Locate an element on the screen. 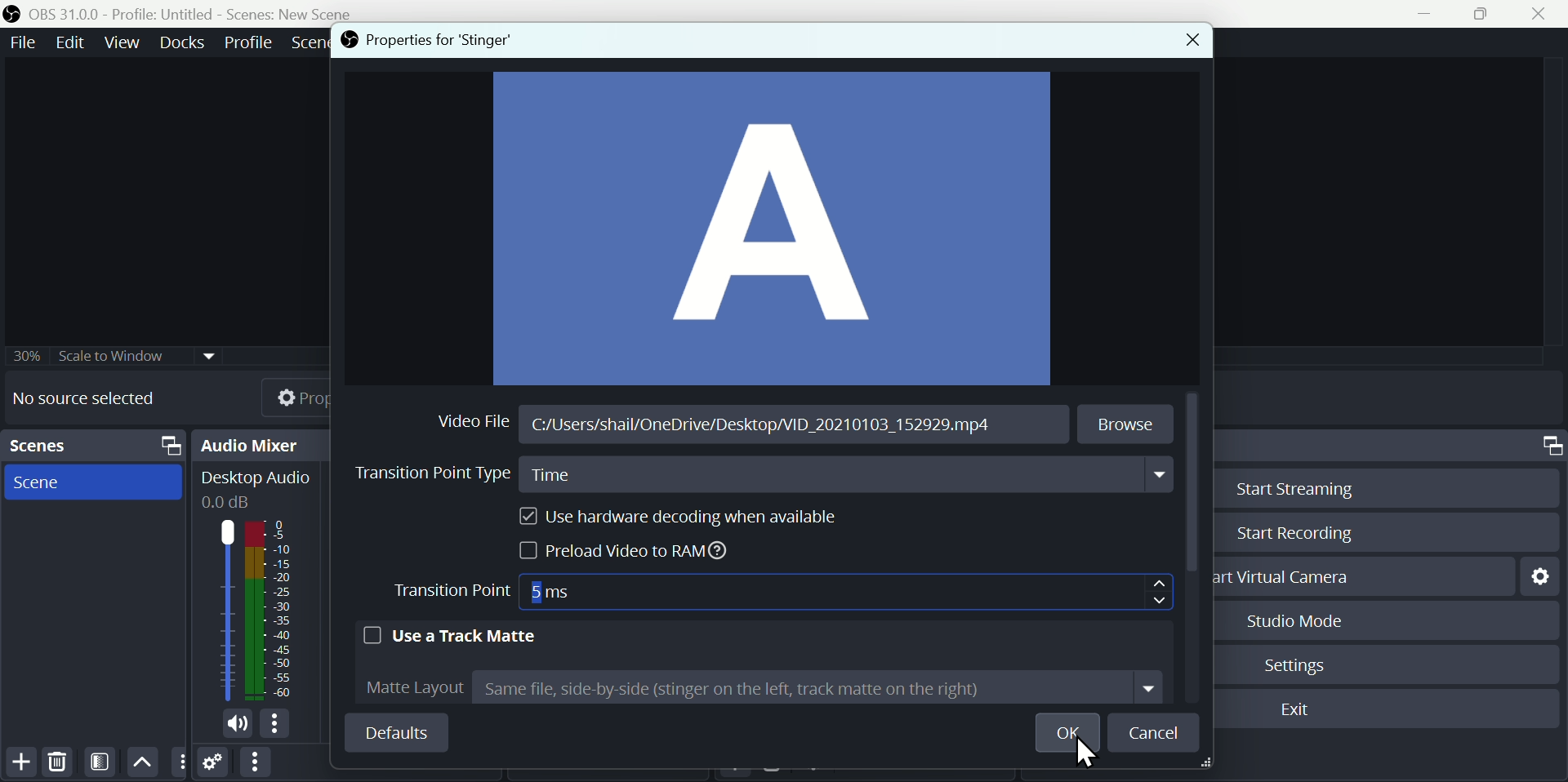 This screenshot has height=782, width=1568. Properties is located at coordinates (282, 395).